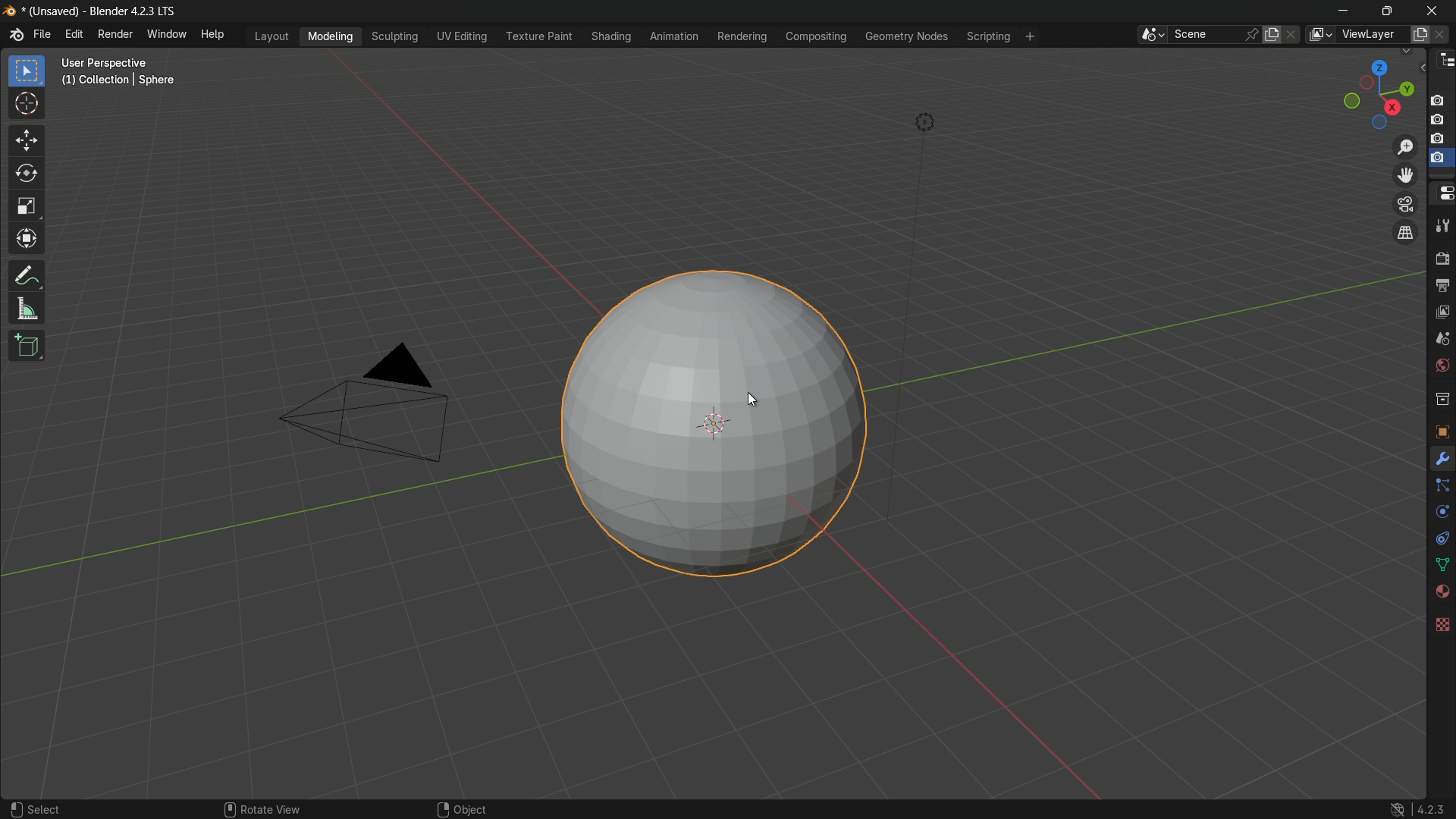 The height and width of the screenshot is (819, 1456). I want to click on sculpting menu, so click(396, 37).